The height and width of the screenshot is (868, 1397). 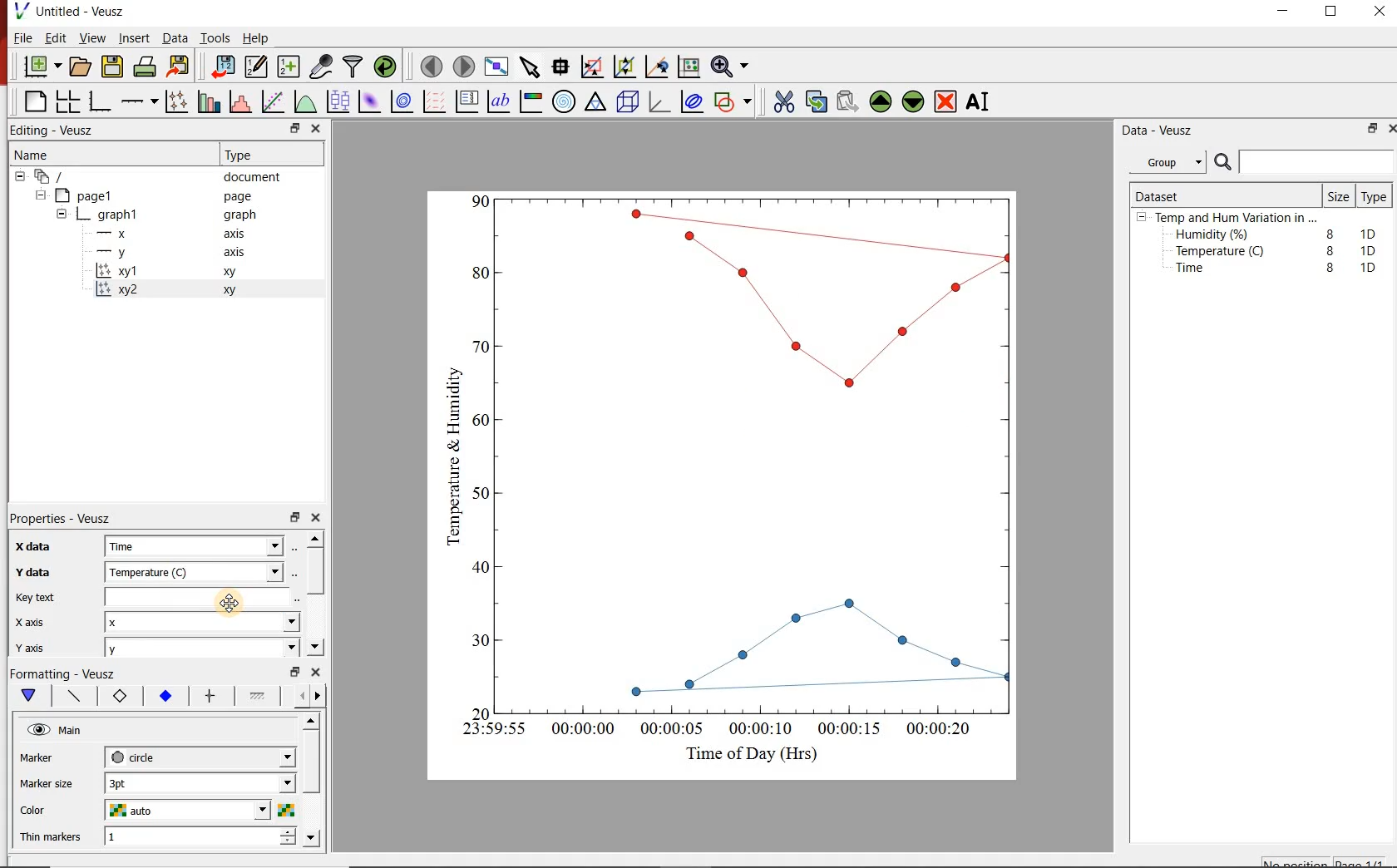 I want to click on Move the selected widget up, so click(x=881, y=100).